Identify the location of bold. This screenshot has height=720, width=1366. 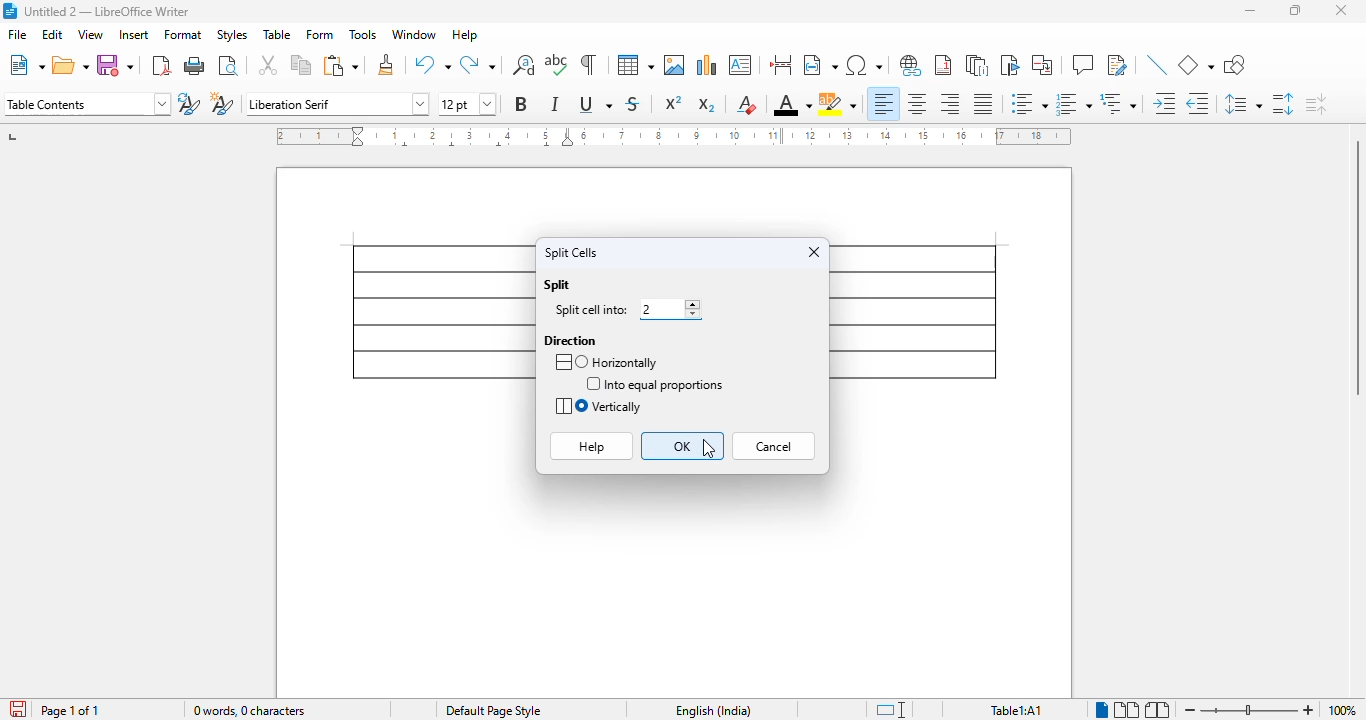
(521, 103).